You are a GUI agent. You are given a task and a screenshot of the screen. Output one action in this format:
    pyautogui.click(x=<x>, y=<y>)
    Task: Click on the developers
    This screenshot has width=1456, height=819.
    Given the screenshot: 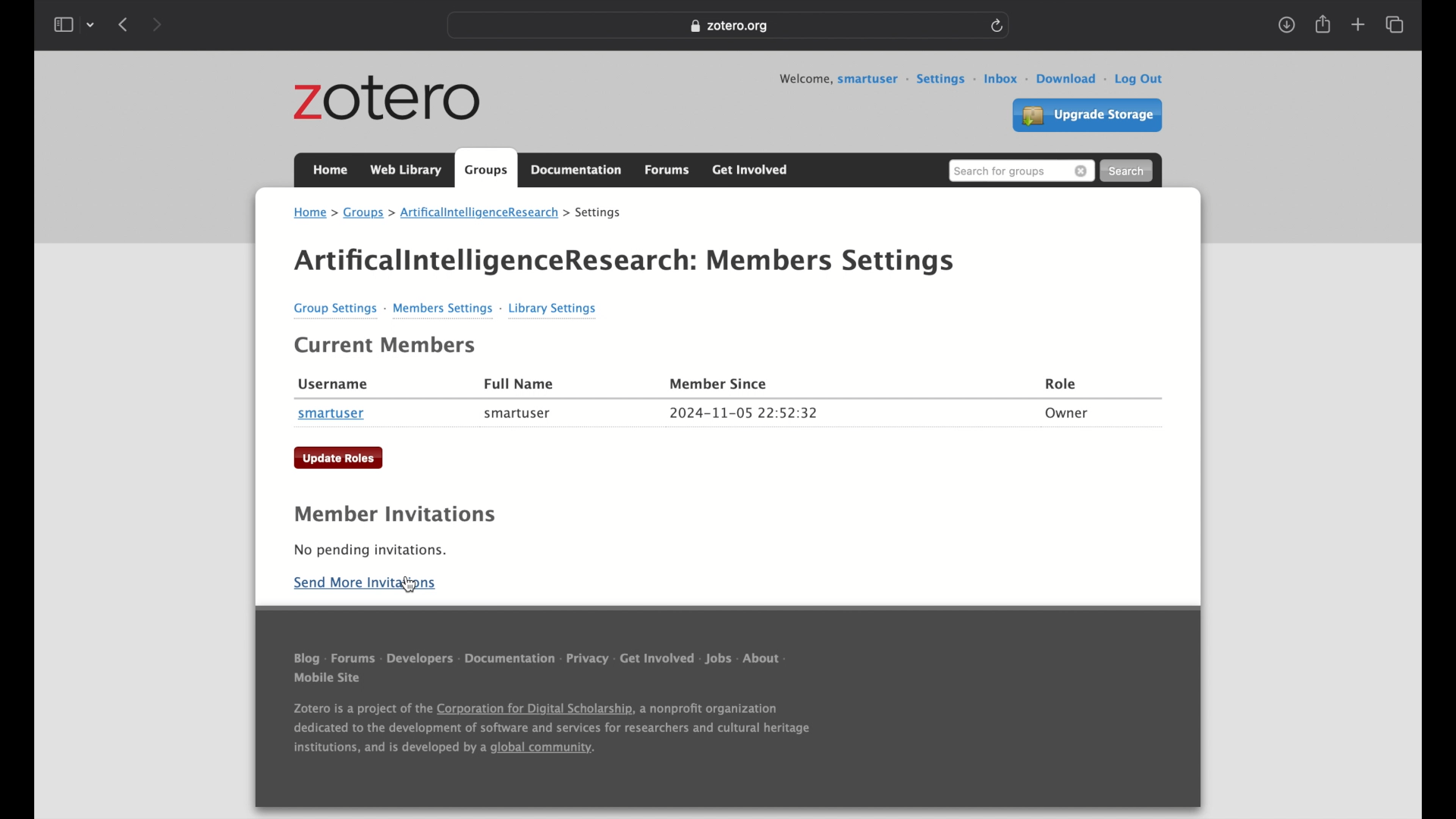 What is the action you would take?
    pyautogui.click(x=421, y=660)
    